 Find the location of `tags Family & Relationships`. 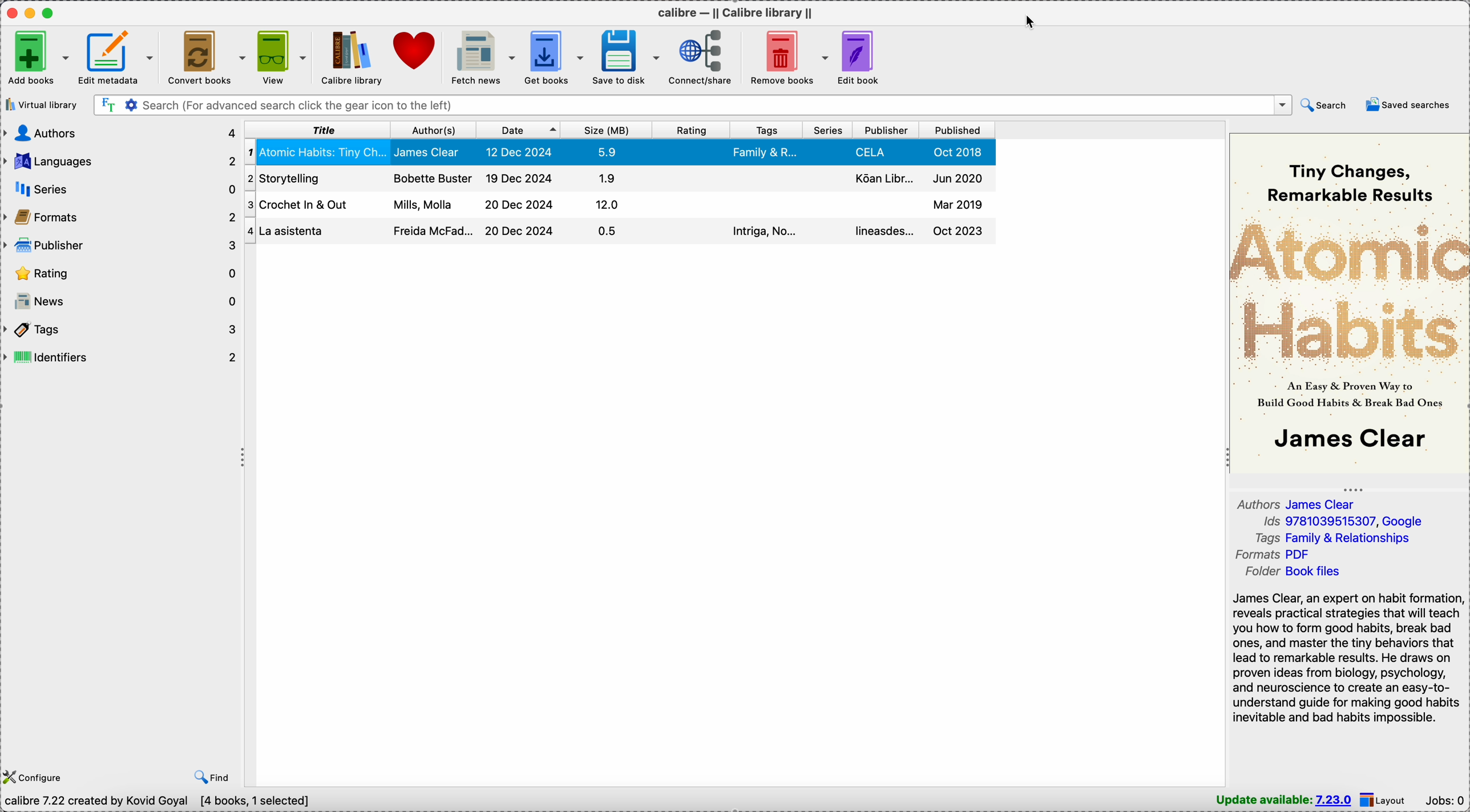

tags Family & Relationships is located at coordinates (1333, 538).